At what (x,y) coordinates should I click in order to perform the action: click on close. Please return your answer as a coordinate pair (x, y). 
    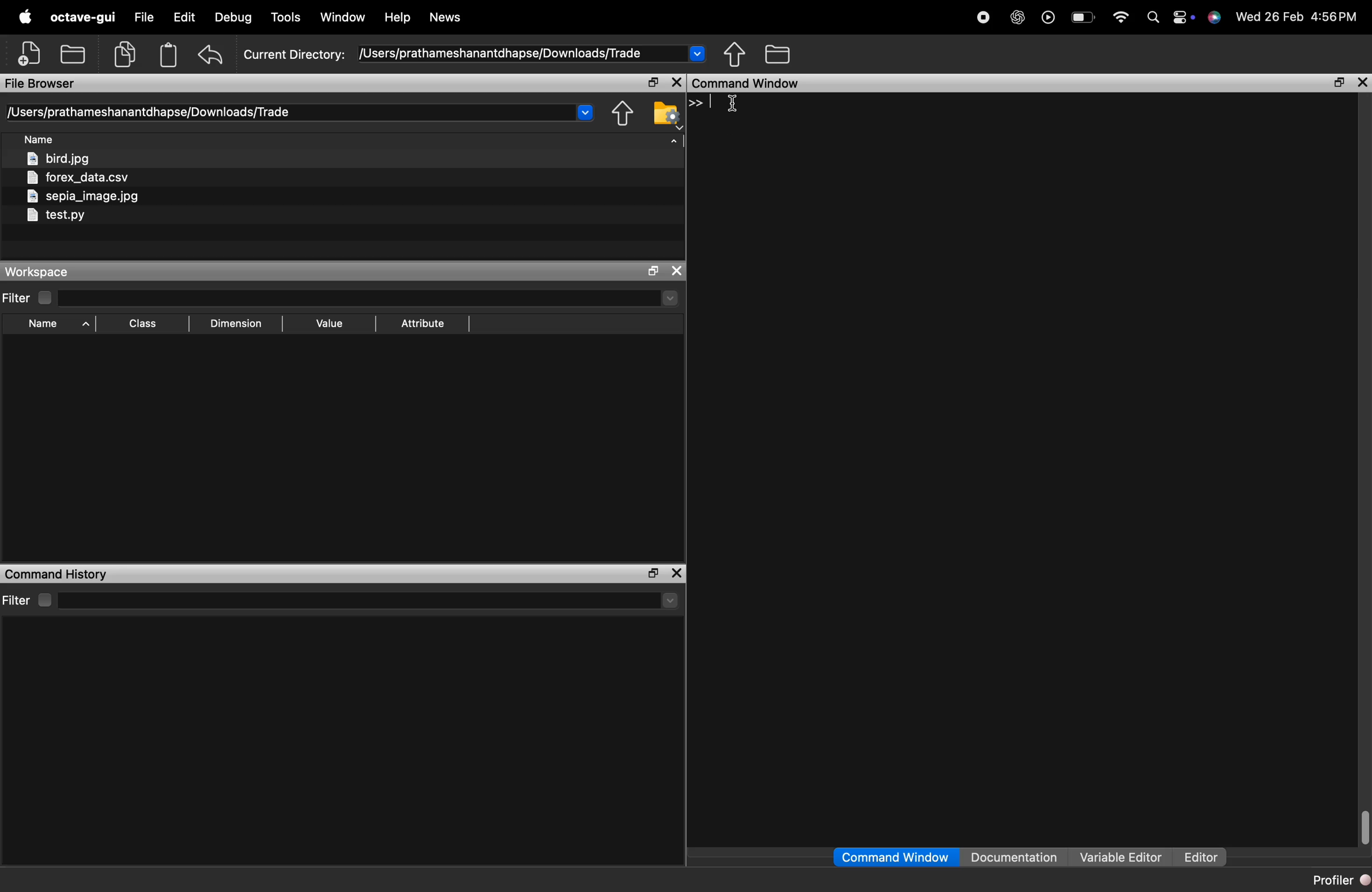
    Looking at the image, I should click on (679, 573).